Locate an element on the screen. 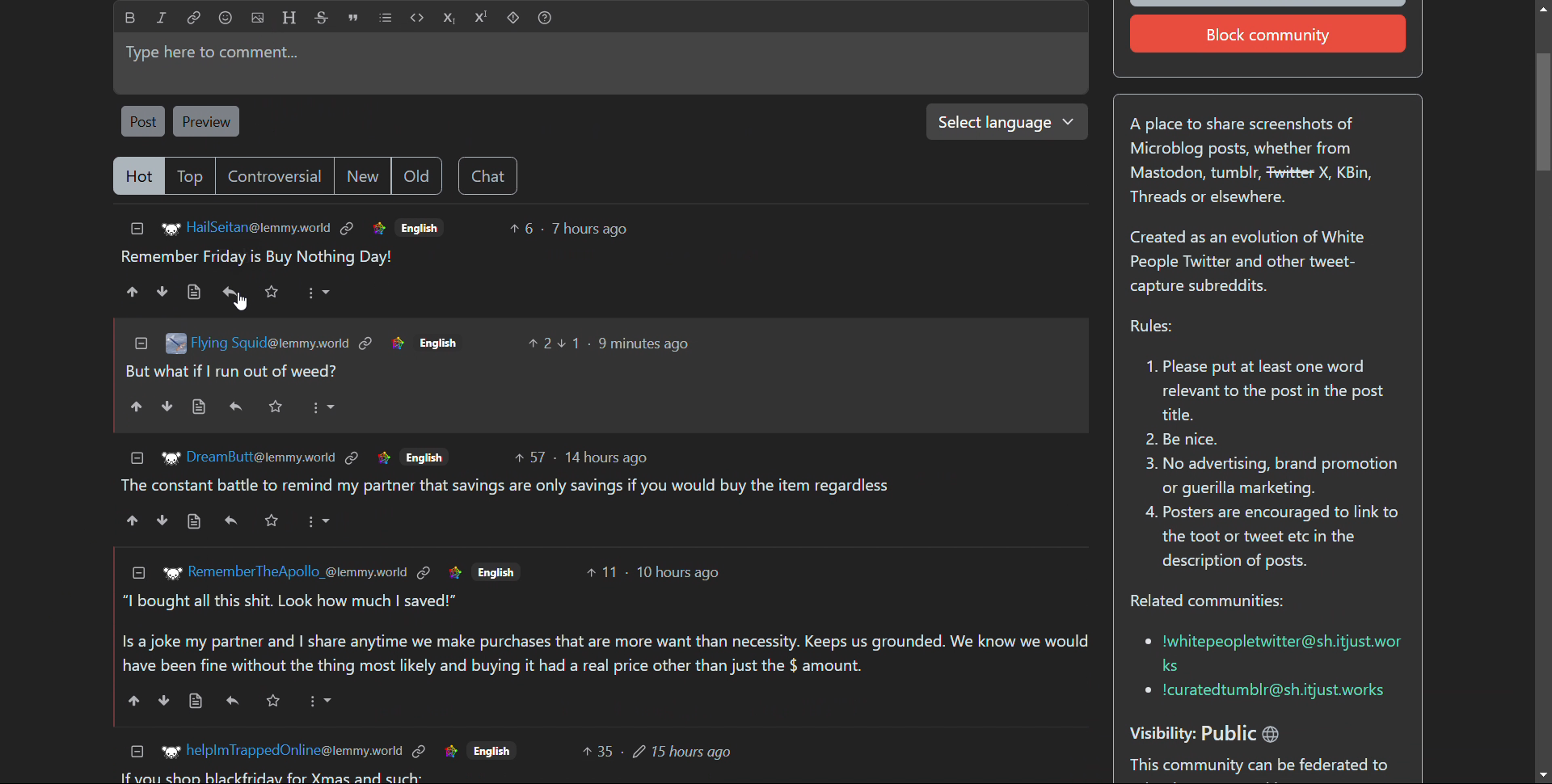 The image size is (1552, 784). More is located at coordinates (317, 293).